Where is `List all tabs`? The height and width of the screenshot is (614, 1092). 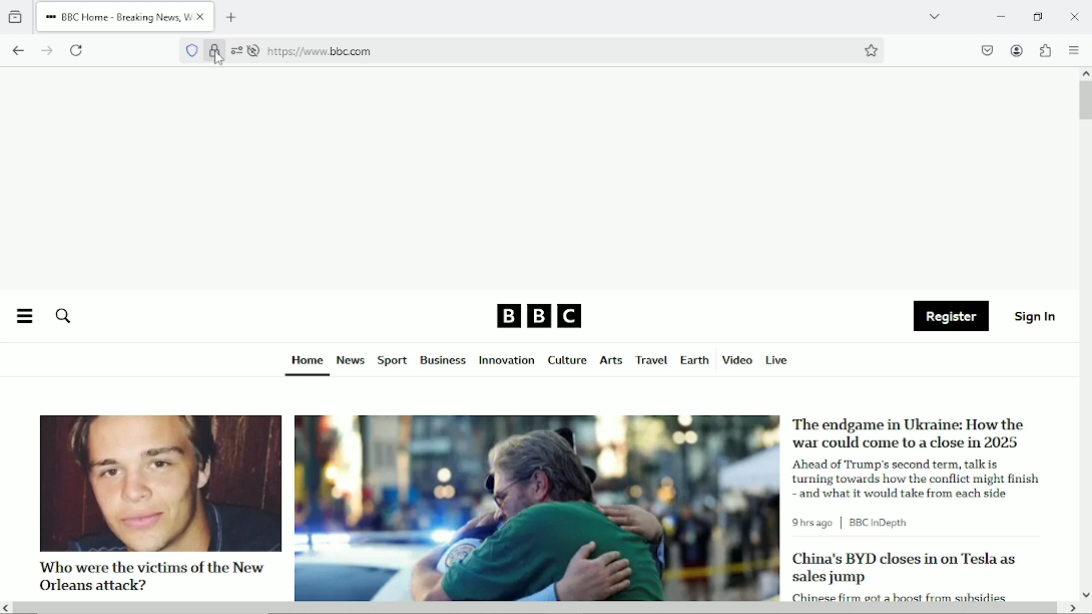
List all tabs is located at coordinates (932, 16).